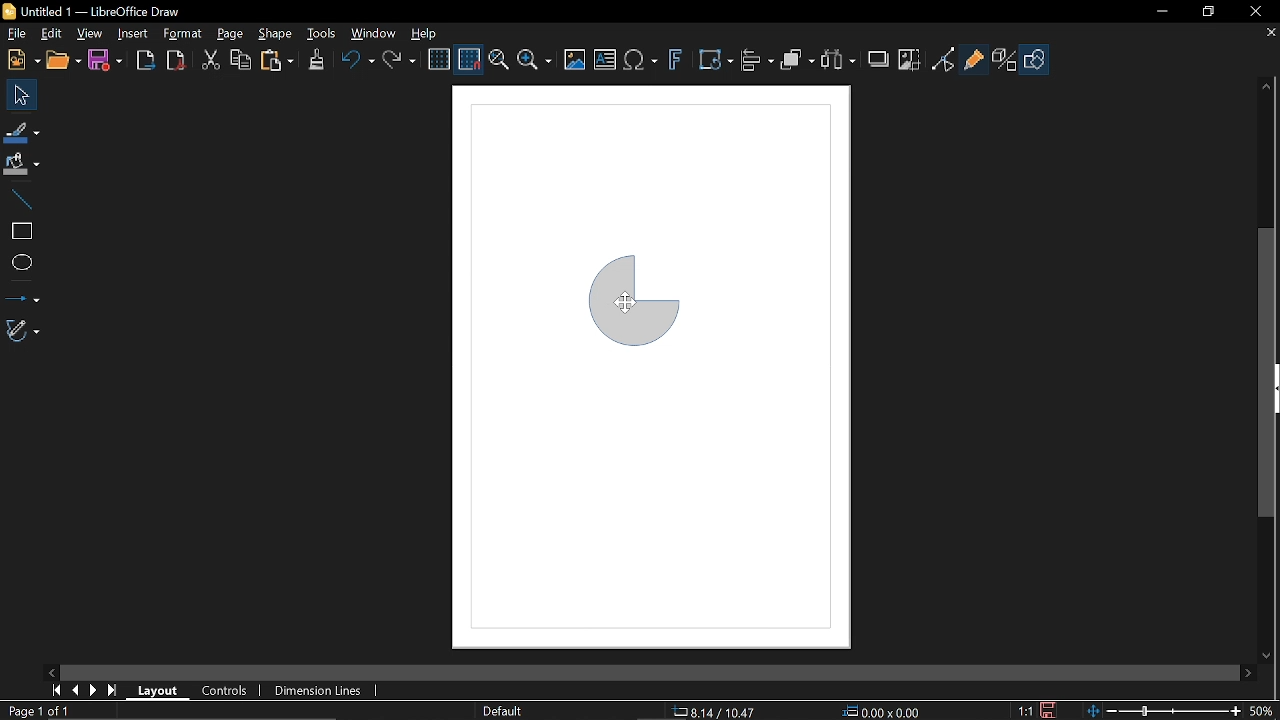  Describe the element at coordinates (974, 61) in the screenshot. I see `GLue` at that location.